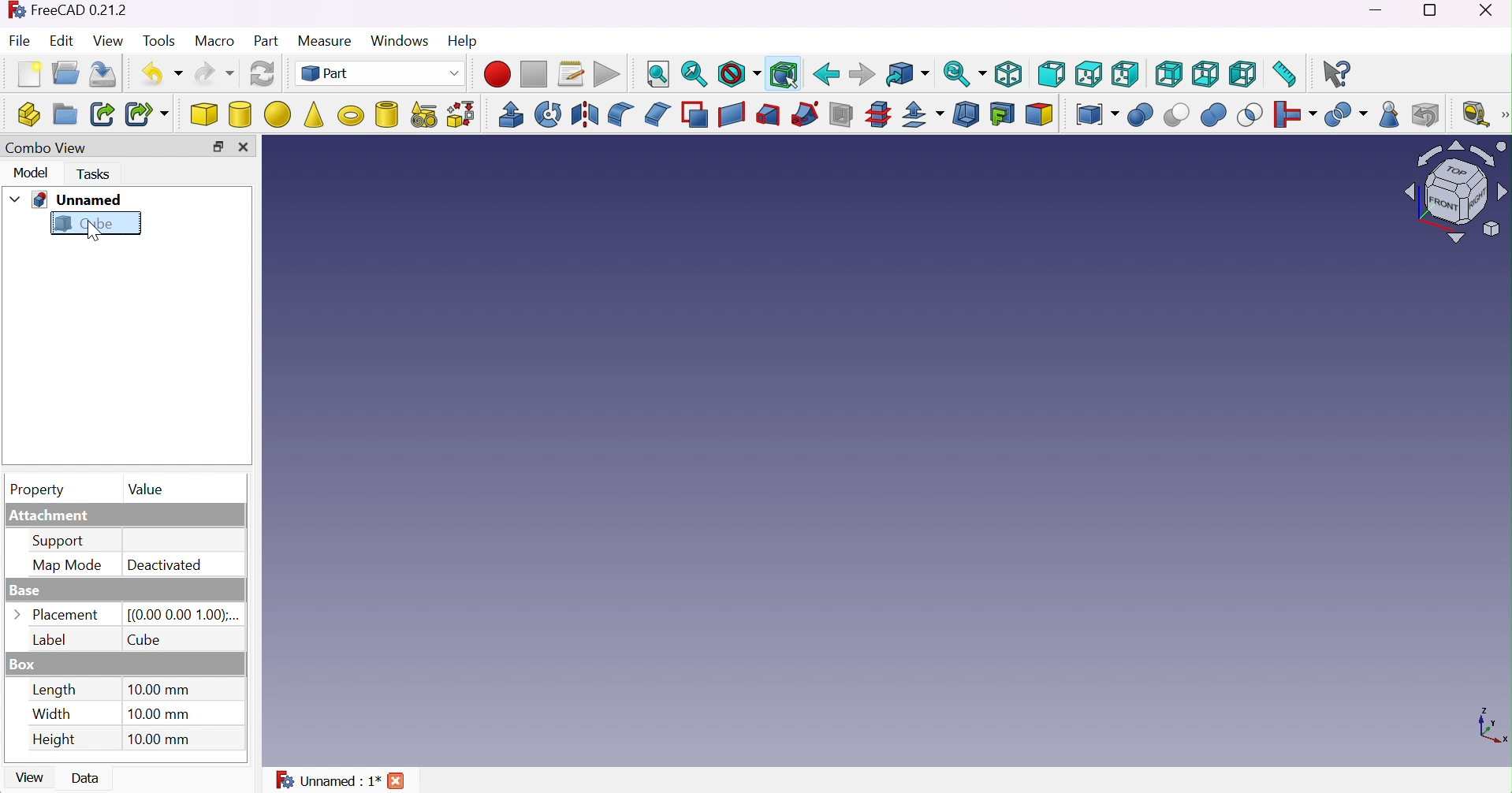 Image resolution: width=1512 pixels, height=793 pixels. What do you see at coordinates (1052, 73) in the screenshot?
I see `Front` at bounding box center [1052, 73].